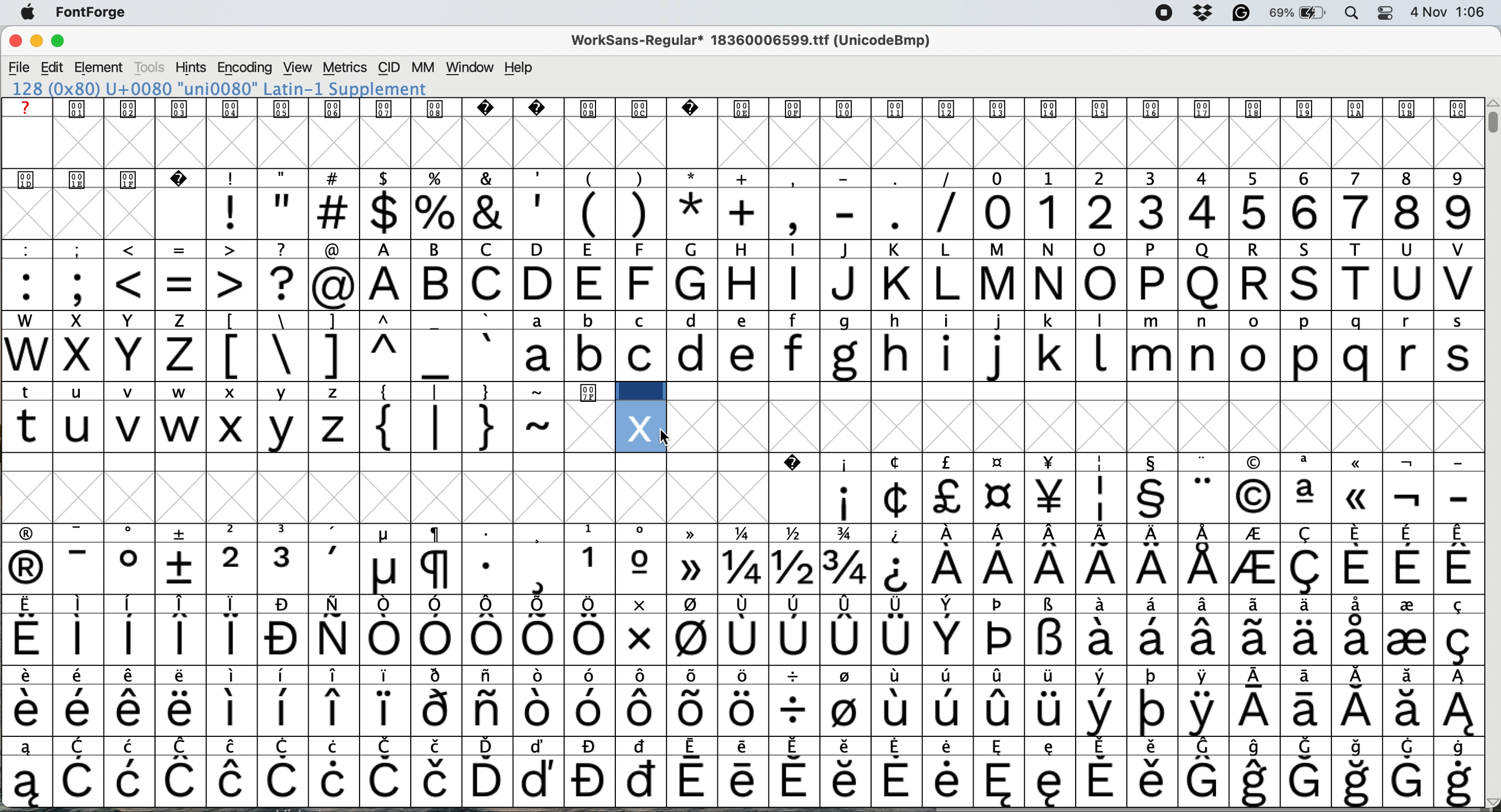  I want to click on tools, so click(150, 68).